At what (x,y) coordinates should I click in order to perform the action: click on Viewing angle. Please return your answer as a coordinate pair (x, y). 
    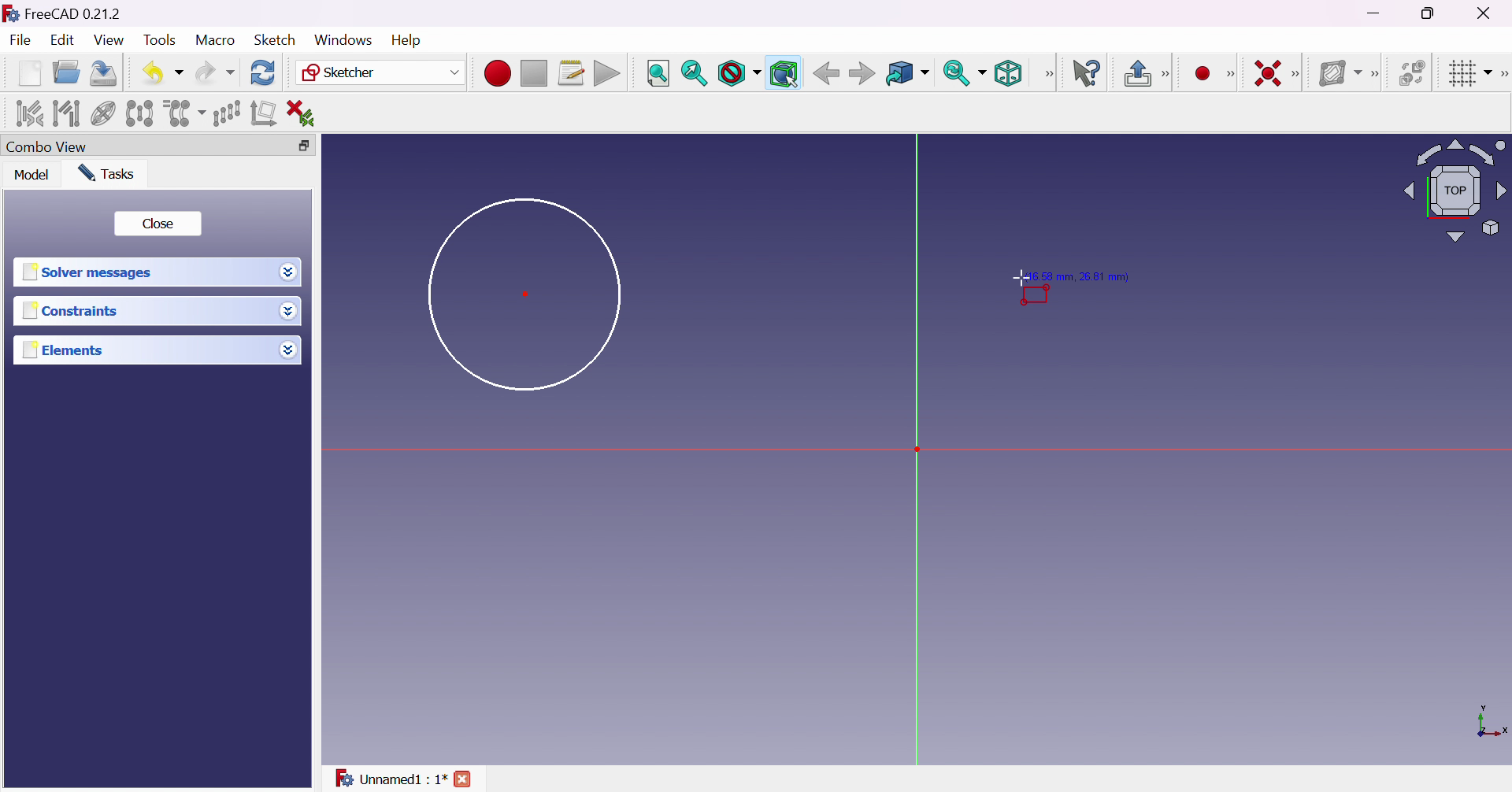
    Looking at the image, I should click on (1452, 192).